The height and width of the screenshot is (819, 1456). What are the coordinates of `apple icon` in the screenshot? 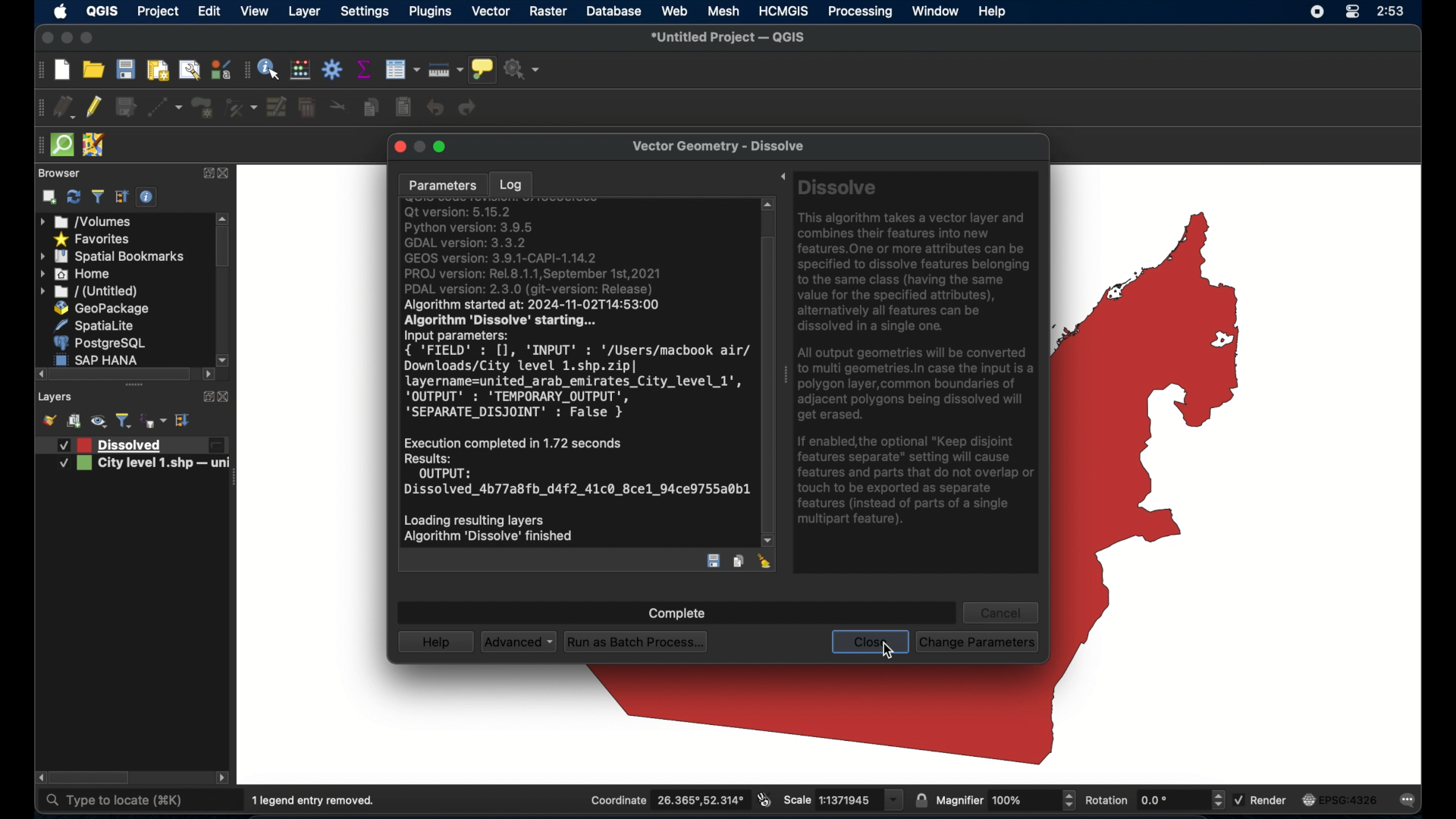 It's located at (61, 11).